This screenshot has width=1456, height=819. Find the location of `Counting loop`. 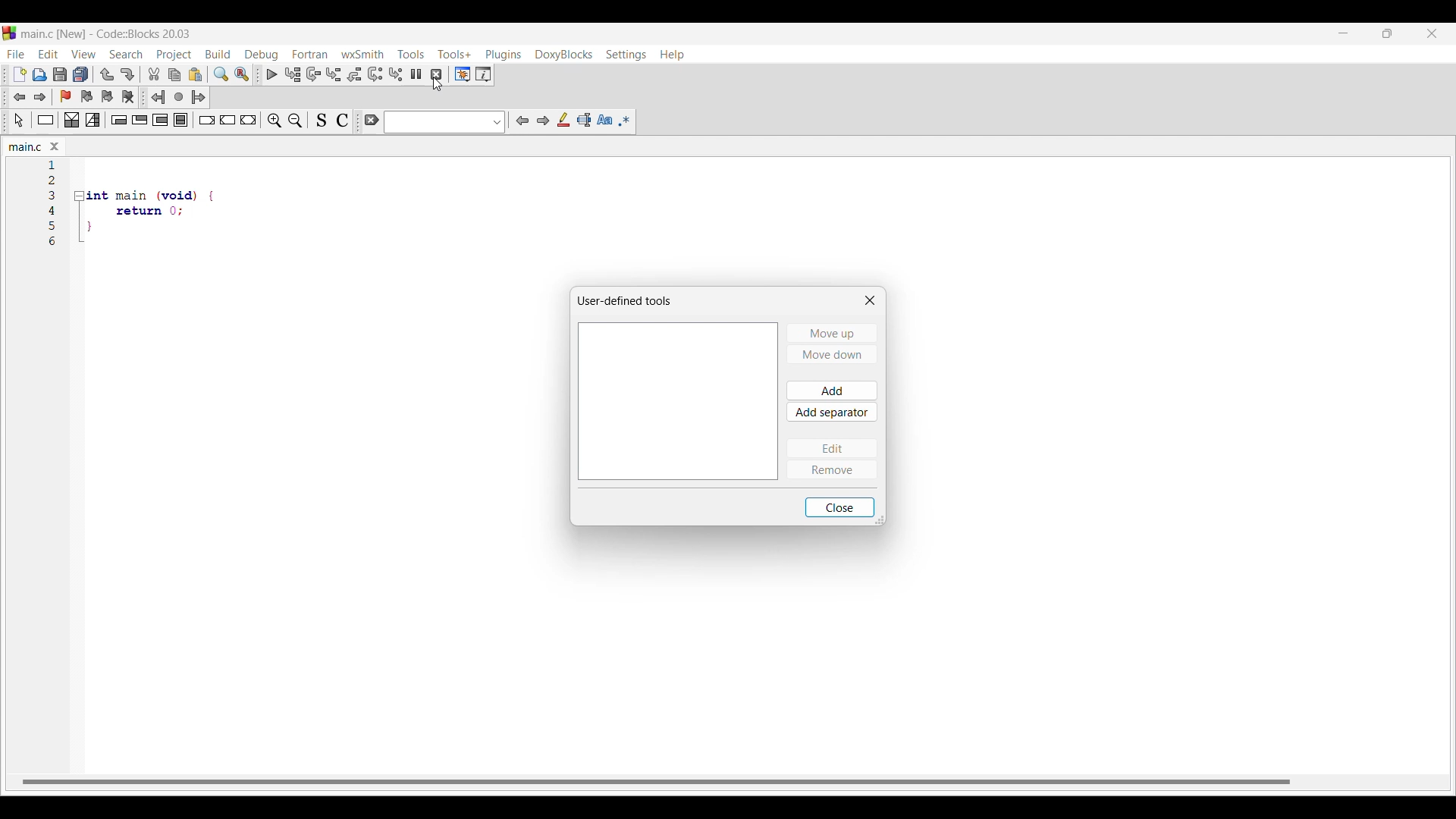

Counting loop is located at coordinates (160, 120).